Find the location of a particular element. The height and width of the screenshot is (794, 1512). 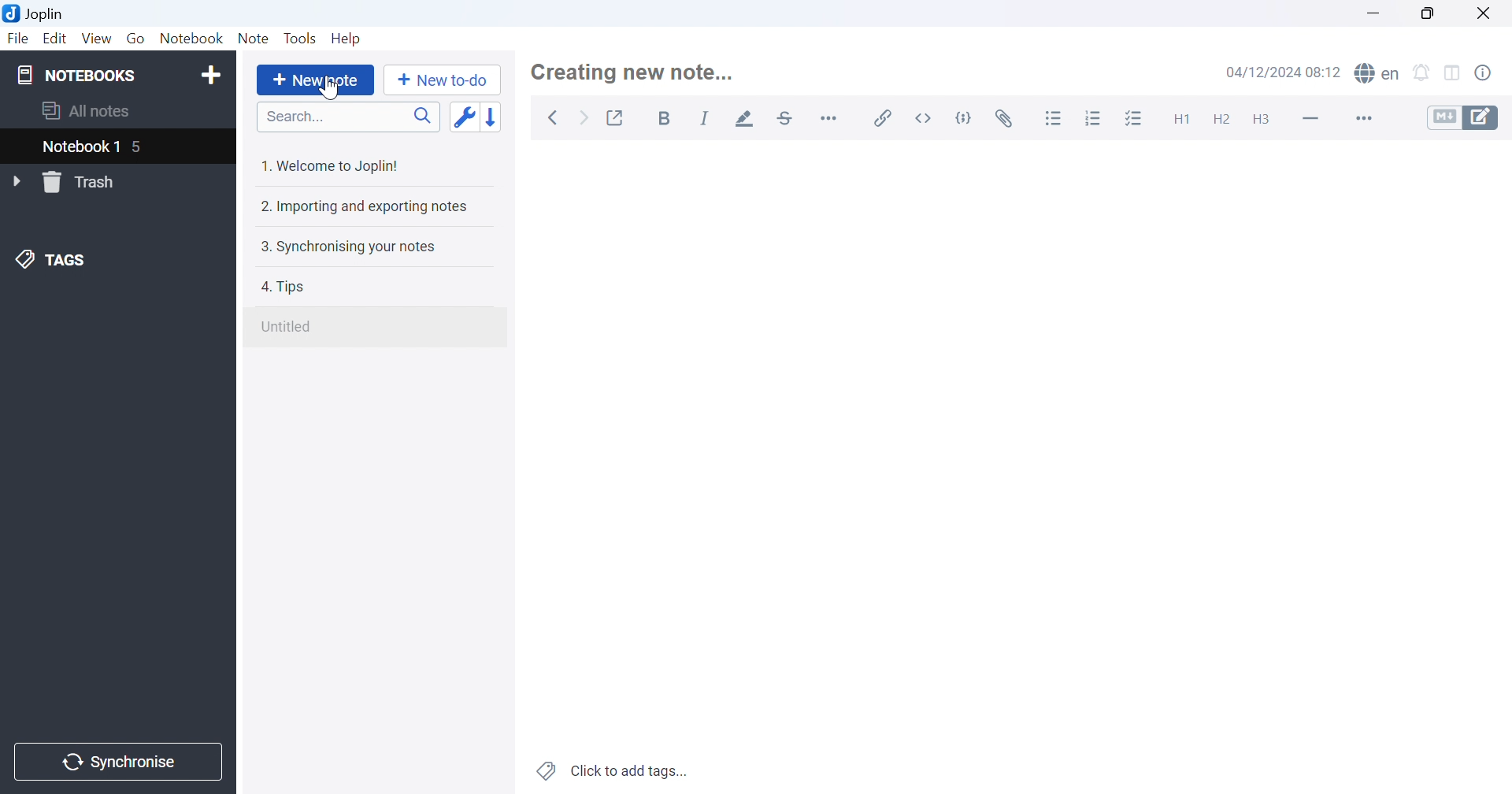

View is located at coordinates (95, 39).